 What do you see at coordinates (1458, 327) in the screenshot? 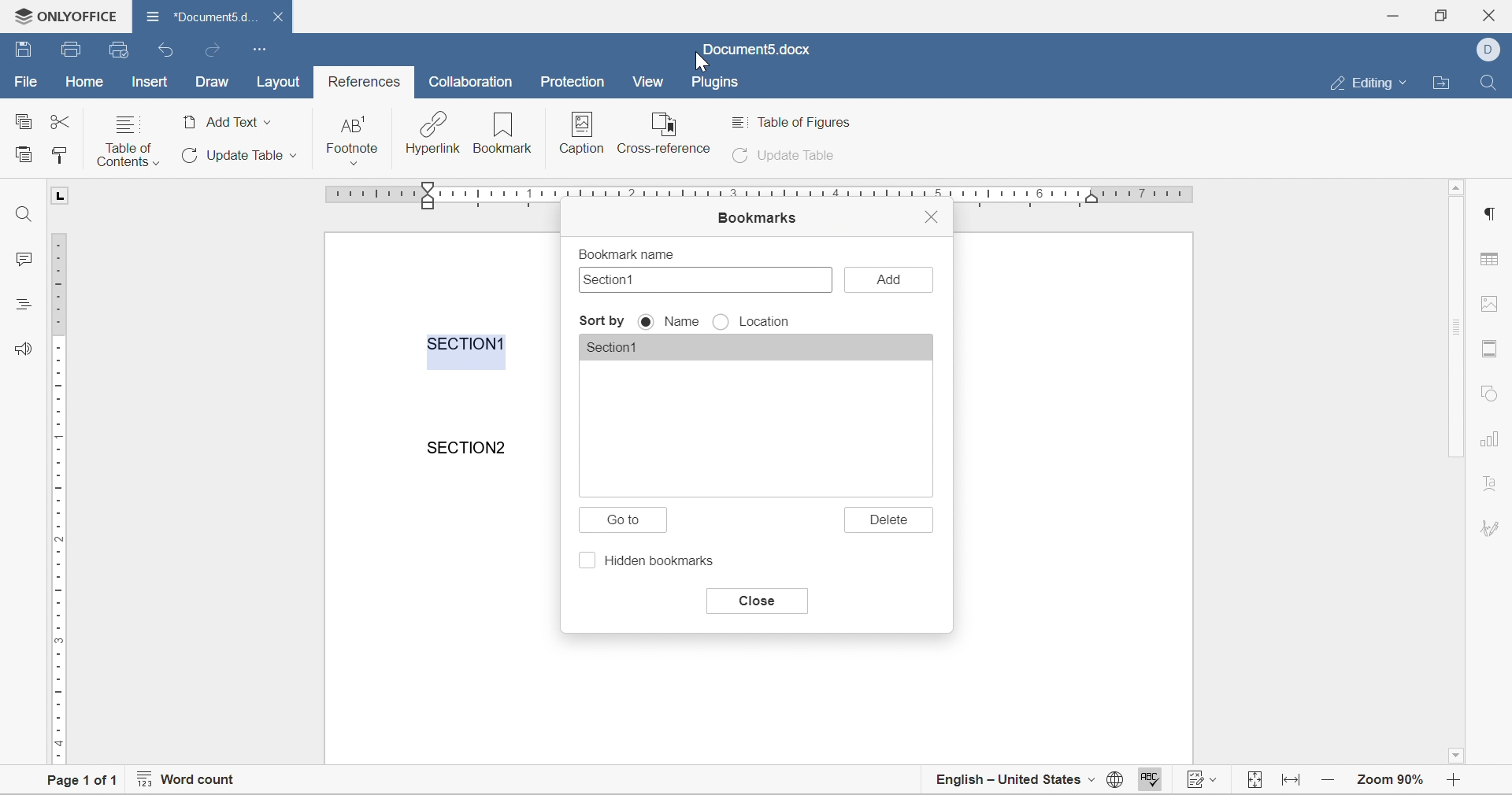
I see `scroll bar` at bounding box center [1458, 327].